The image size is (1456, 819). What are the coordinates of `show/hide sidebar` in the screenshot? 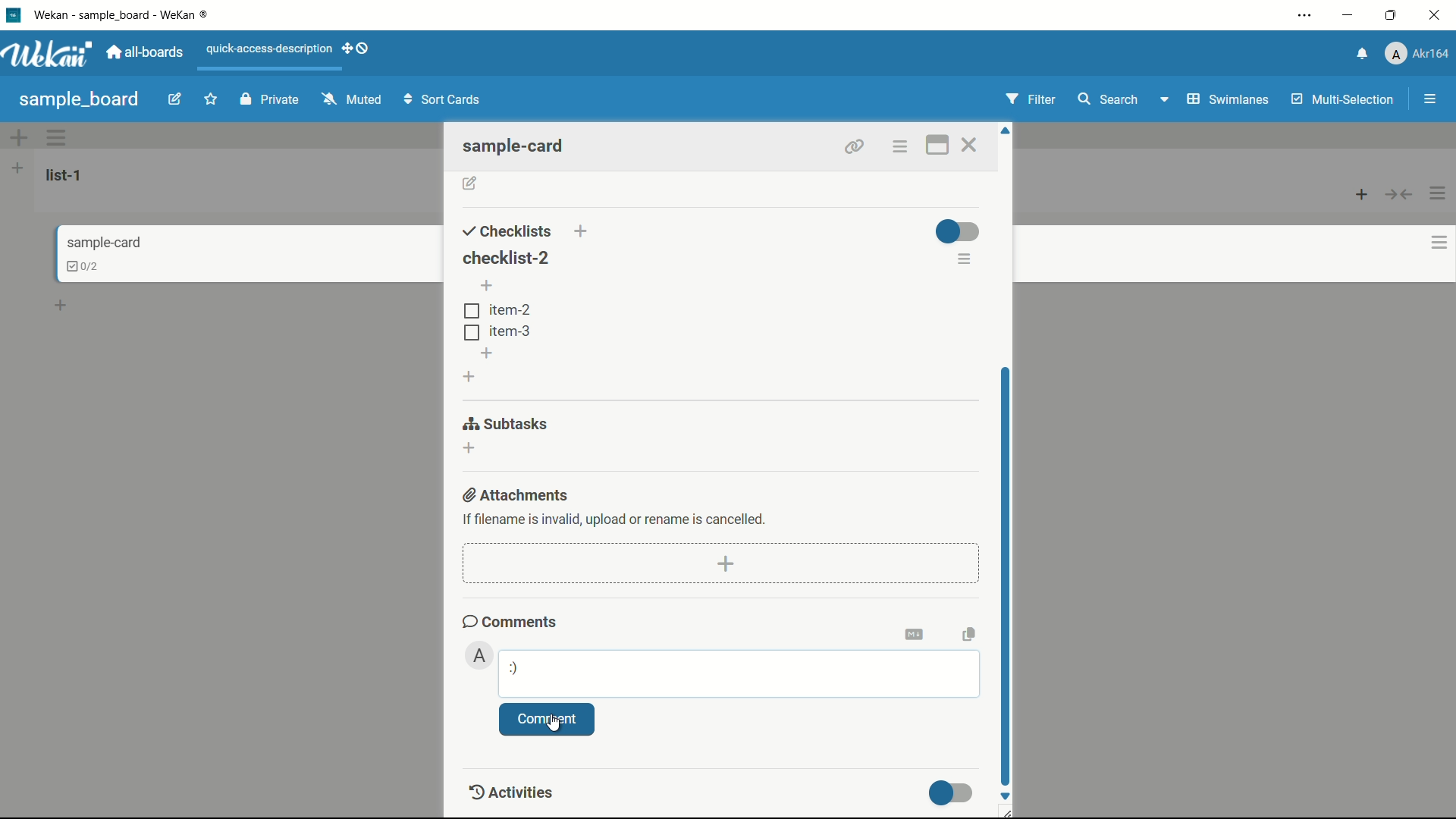 It's located at (1429, 99).